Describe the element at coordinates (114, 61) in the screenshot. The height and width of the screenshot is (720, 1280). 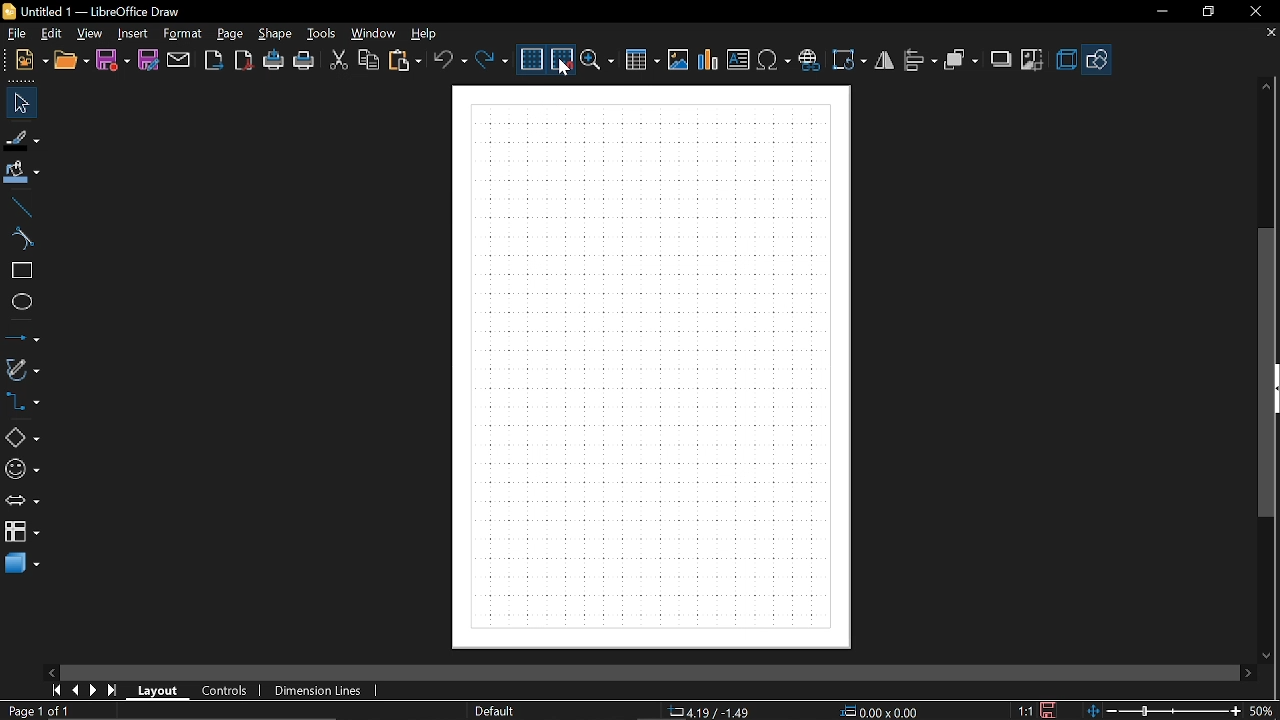
I see `save` at that location.